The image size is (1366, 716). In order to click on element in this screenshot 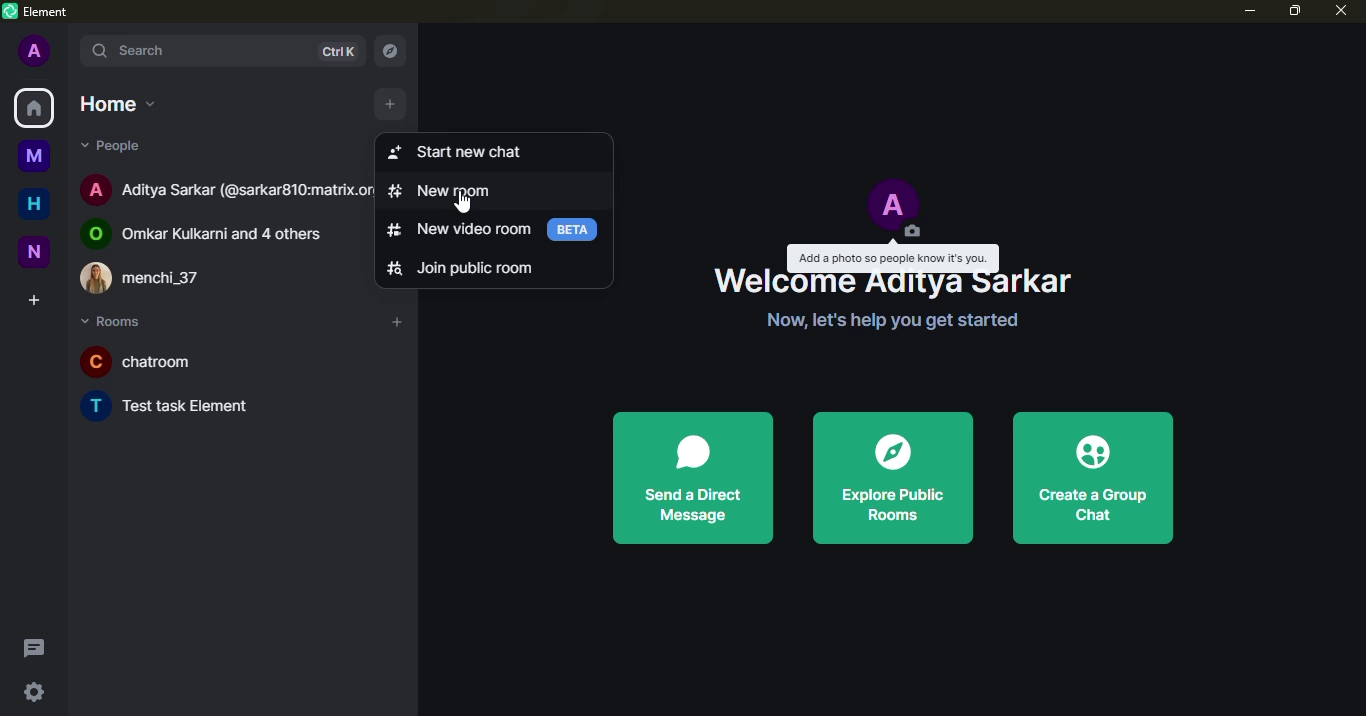, I will do `click(38, 12)`.